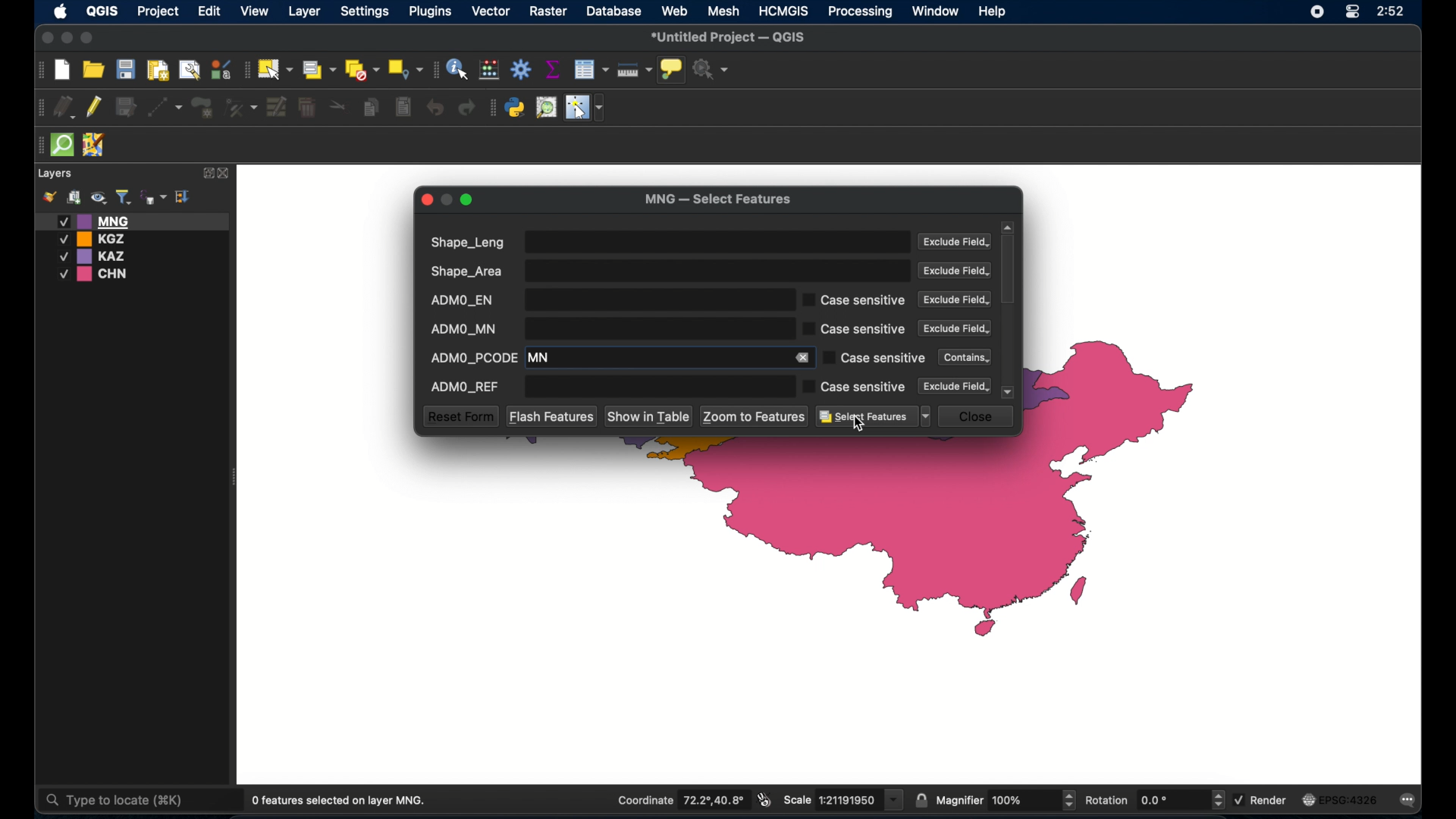 The width and height of the screenshot is (1456, 819). What do you see at coordinates (49, 197) in the screenshot?
I see `open layer styling panel` at bounding box center [49, 197].